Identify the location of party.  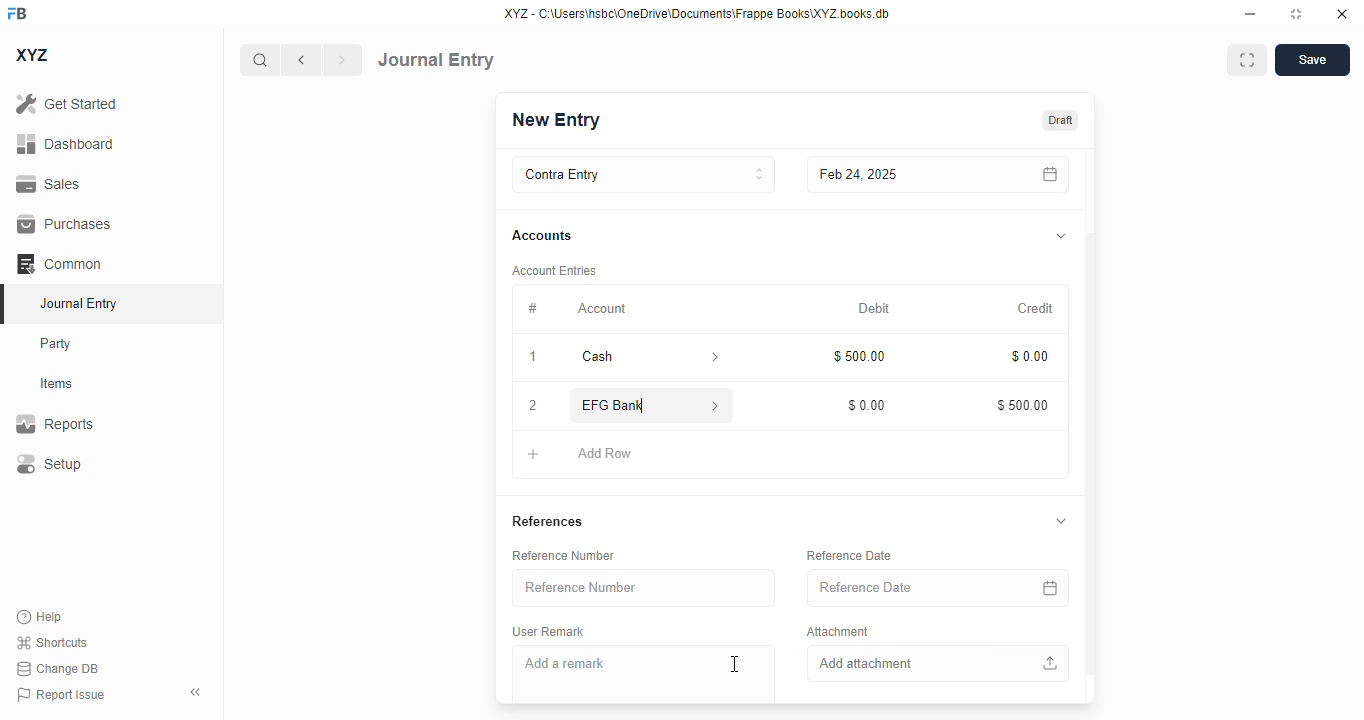
(58, 344).